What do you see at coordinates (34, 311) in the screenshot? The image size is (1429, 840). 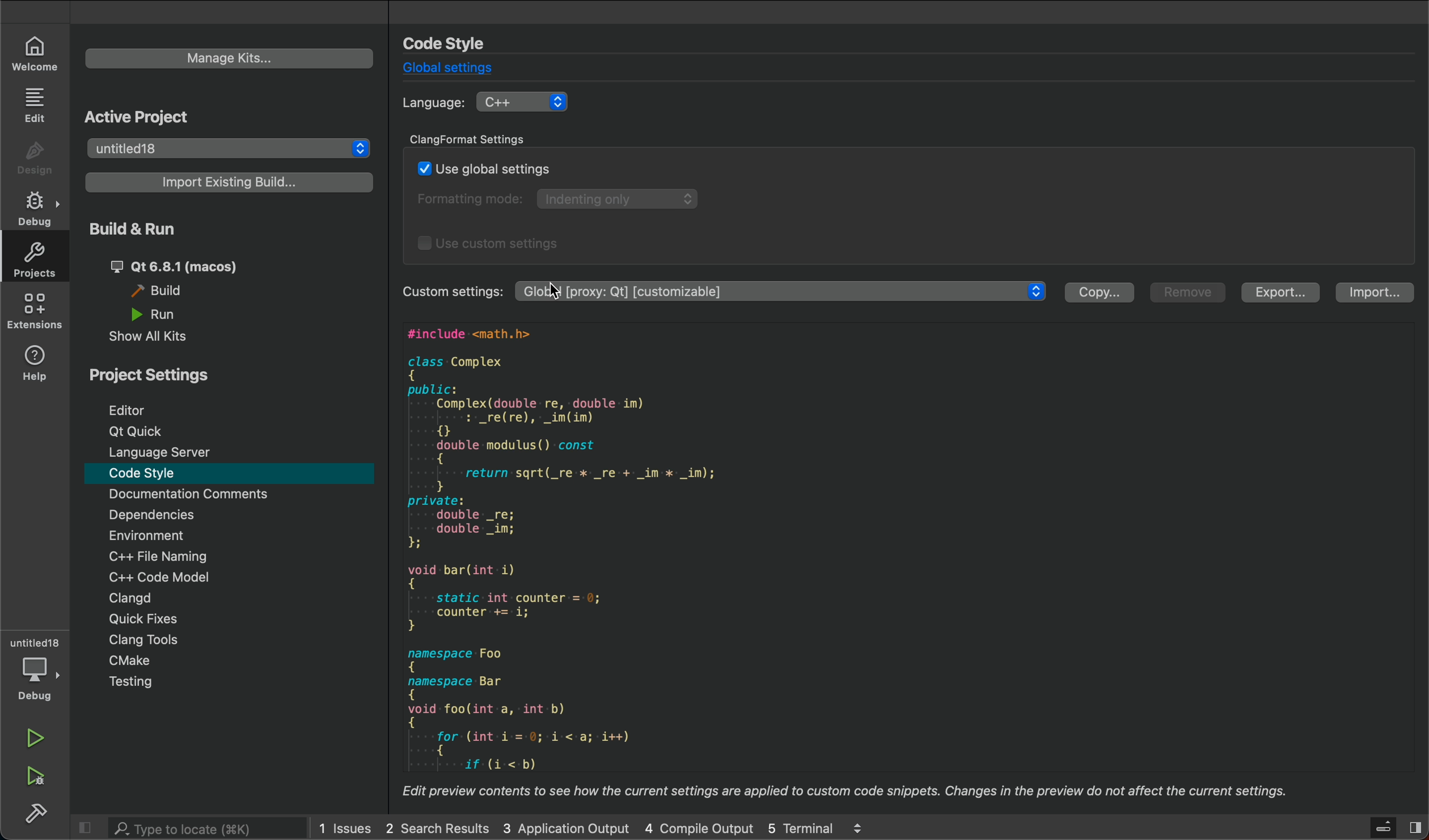 I see `extensions` at bounding box center [34, 311].